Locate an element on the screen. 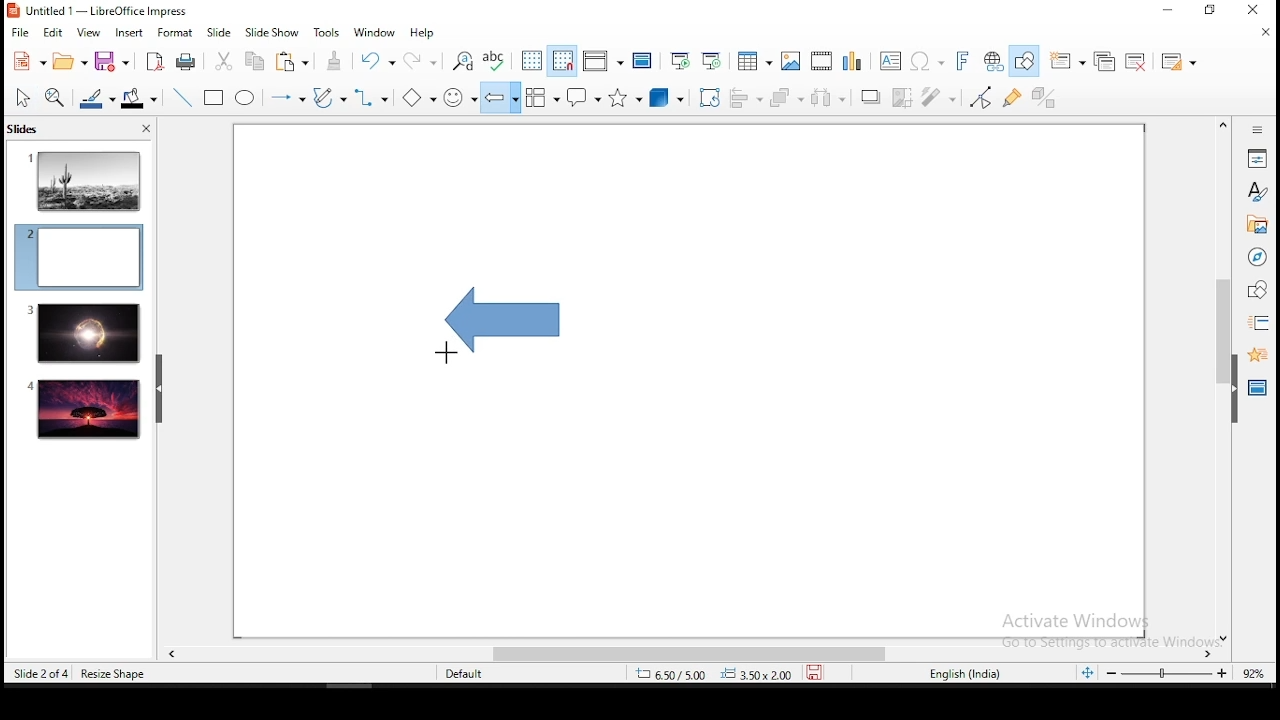  find and replace is located at coordinates (462, 59).